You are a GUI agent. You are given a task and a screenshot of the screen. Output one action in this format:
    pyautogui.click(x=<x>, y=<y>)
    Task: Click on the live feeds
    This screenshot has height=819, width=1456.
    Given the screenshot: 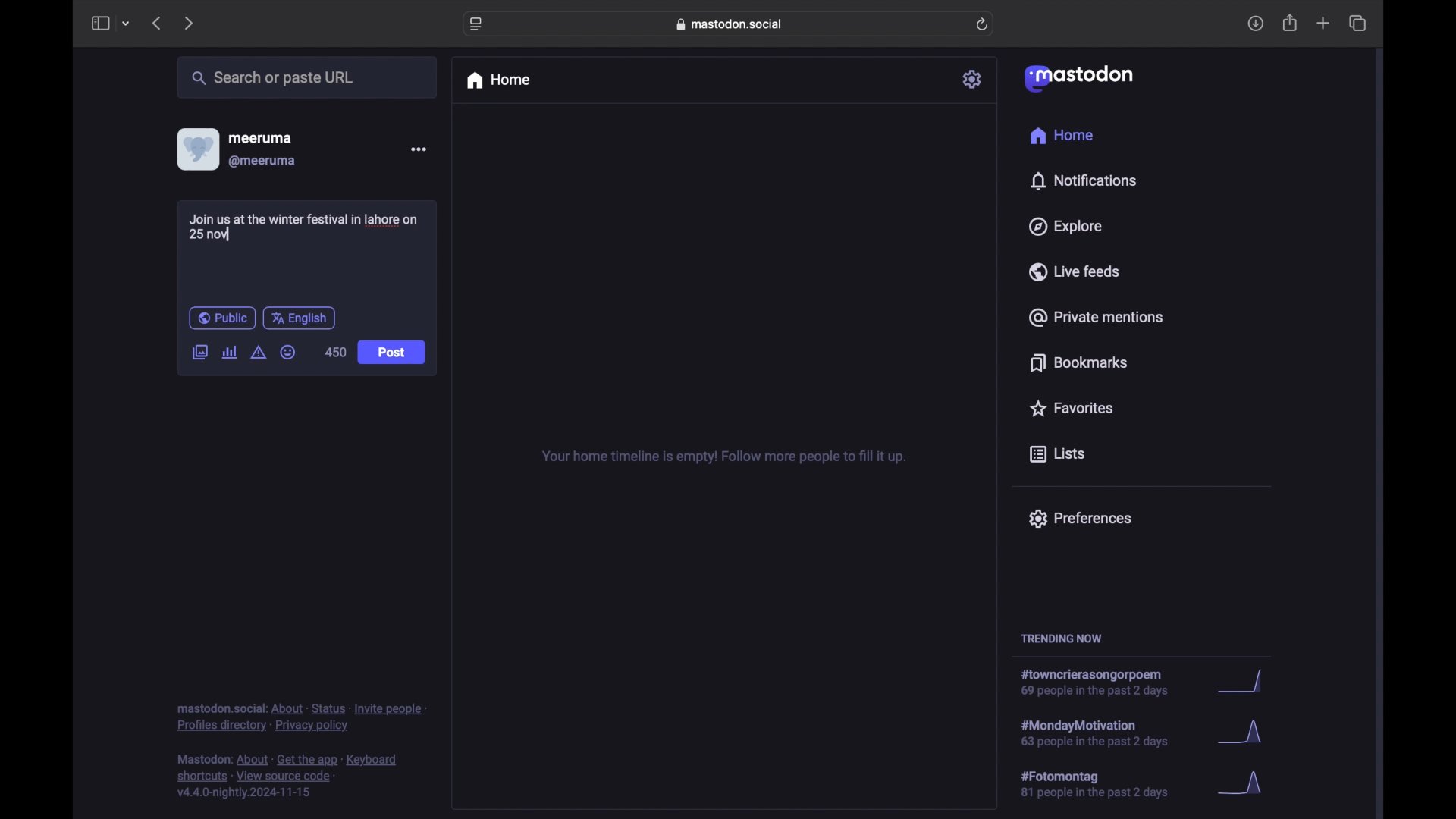 What is the action you would take?
    pyautogui.click(x=1075, y=271)
    